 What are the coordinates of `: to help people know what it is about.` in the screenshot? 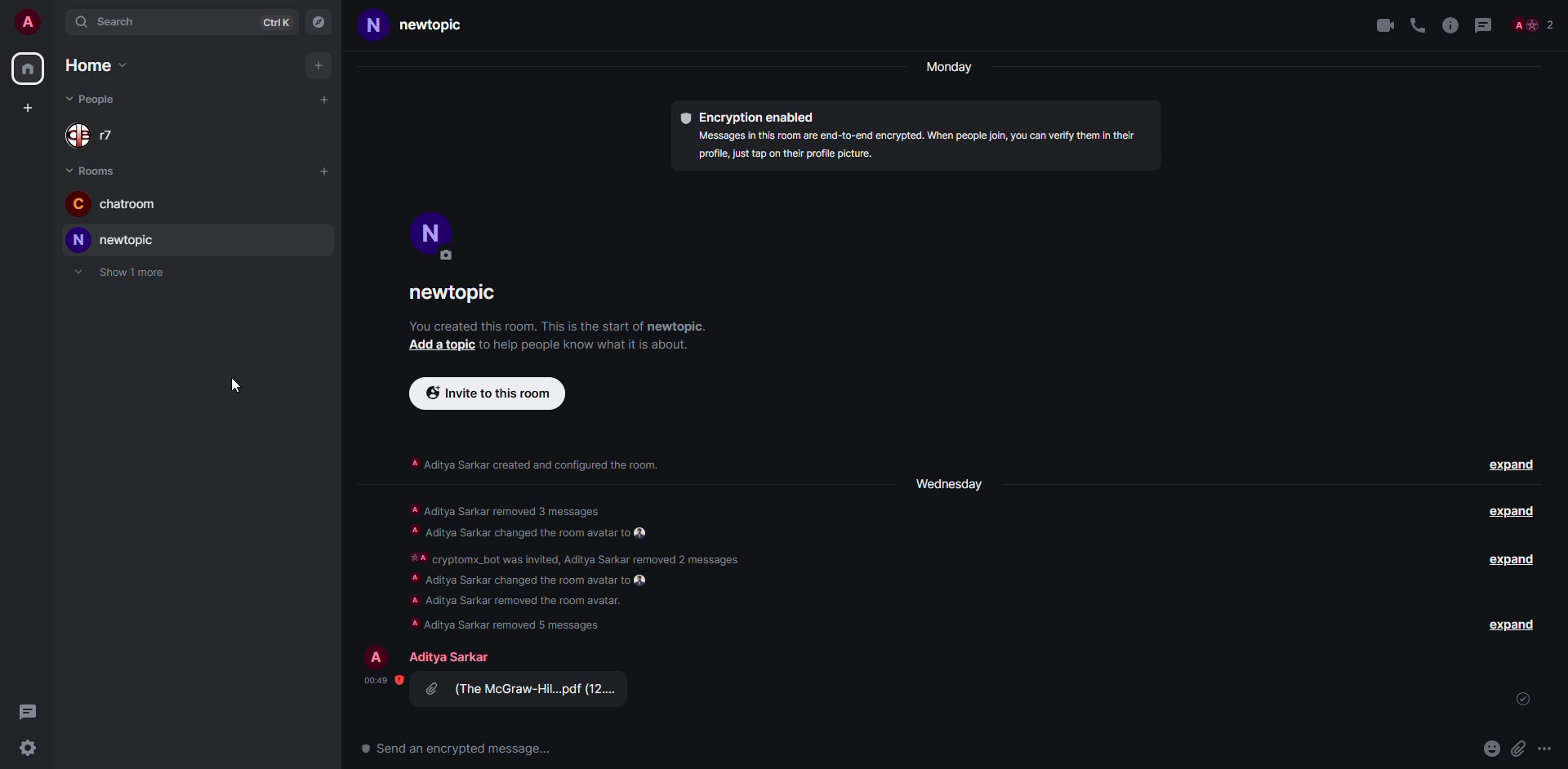 It's located at (595, 347).